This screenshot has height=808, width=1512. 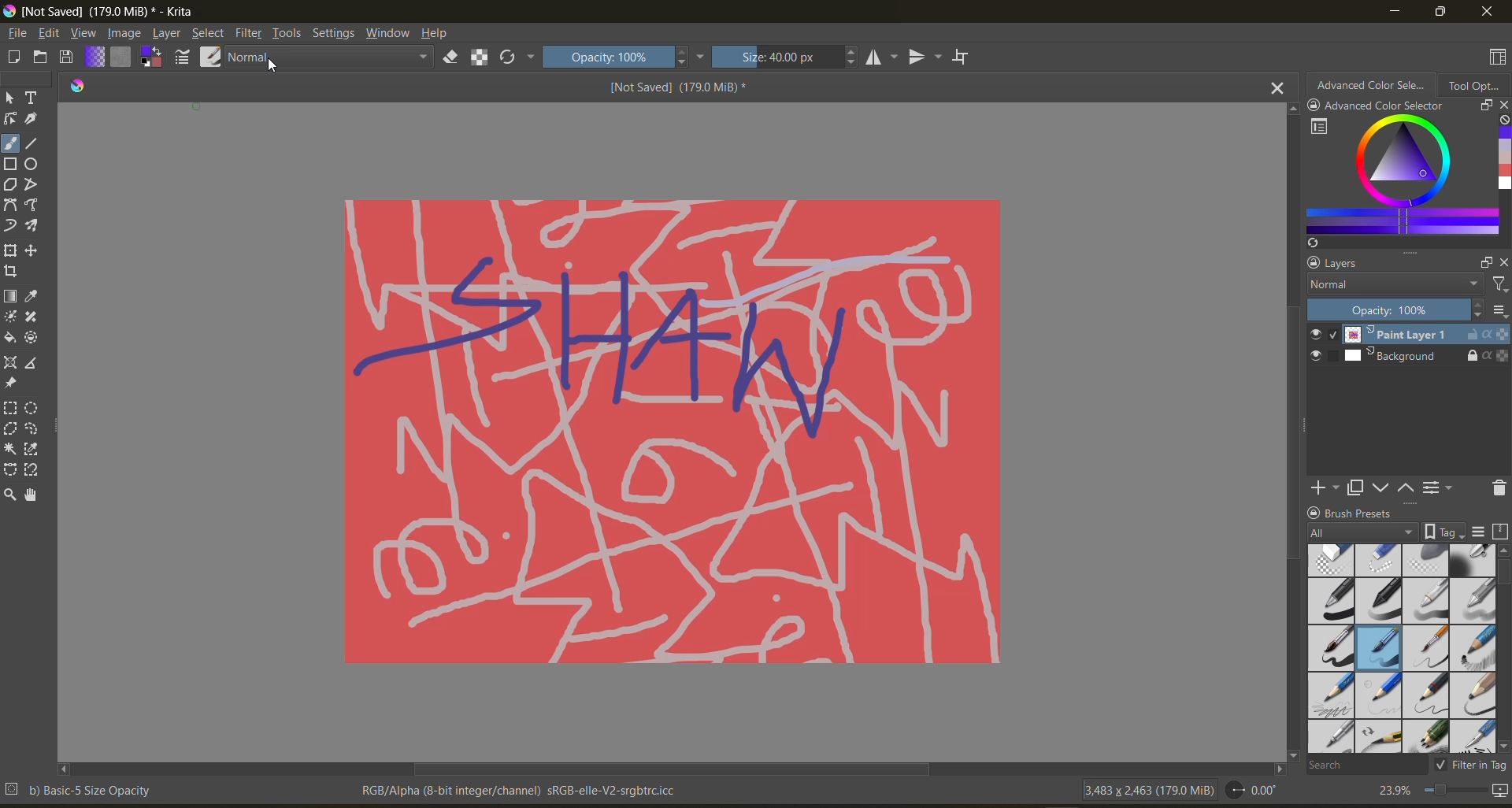 I want to click on edit brush settings, so click(x=183, y=57).